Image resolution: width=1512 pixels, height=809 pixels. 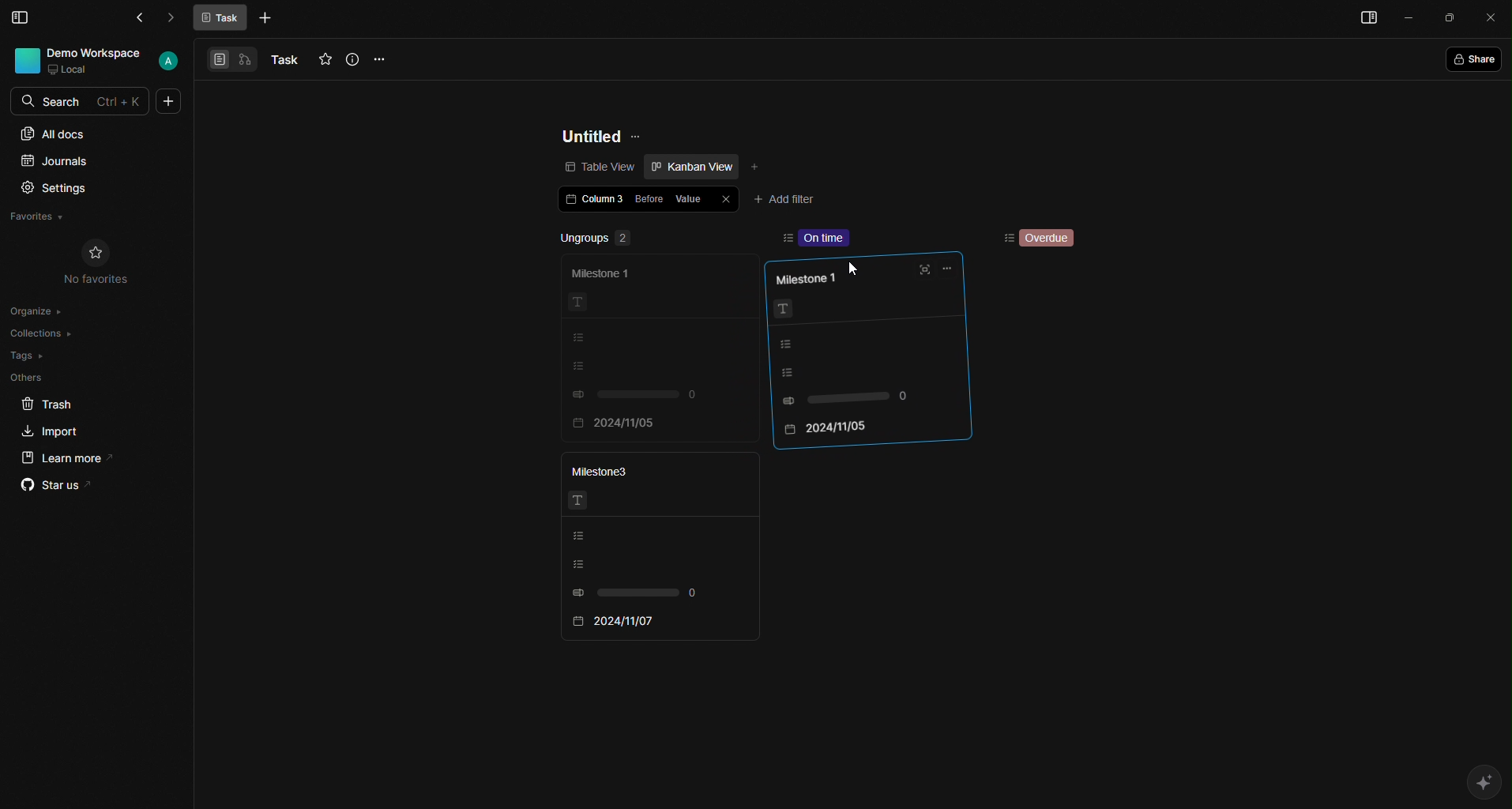 What do you see at coordinates (145, 17) in the screenshot?
I see `Back` at bounding box center [145, 17].